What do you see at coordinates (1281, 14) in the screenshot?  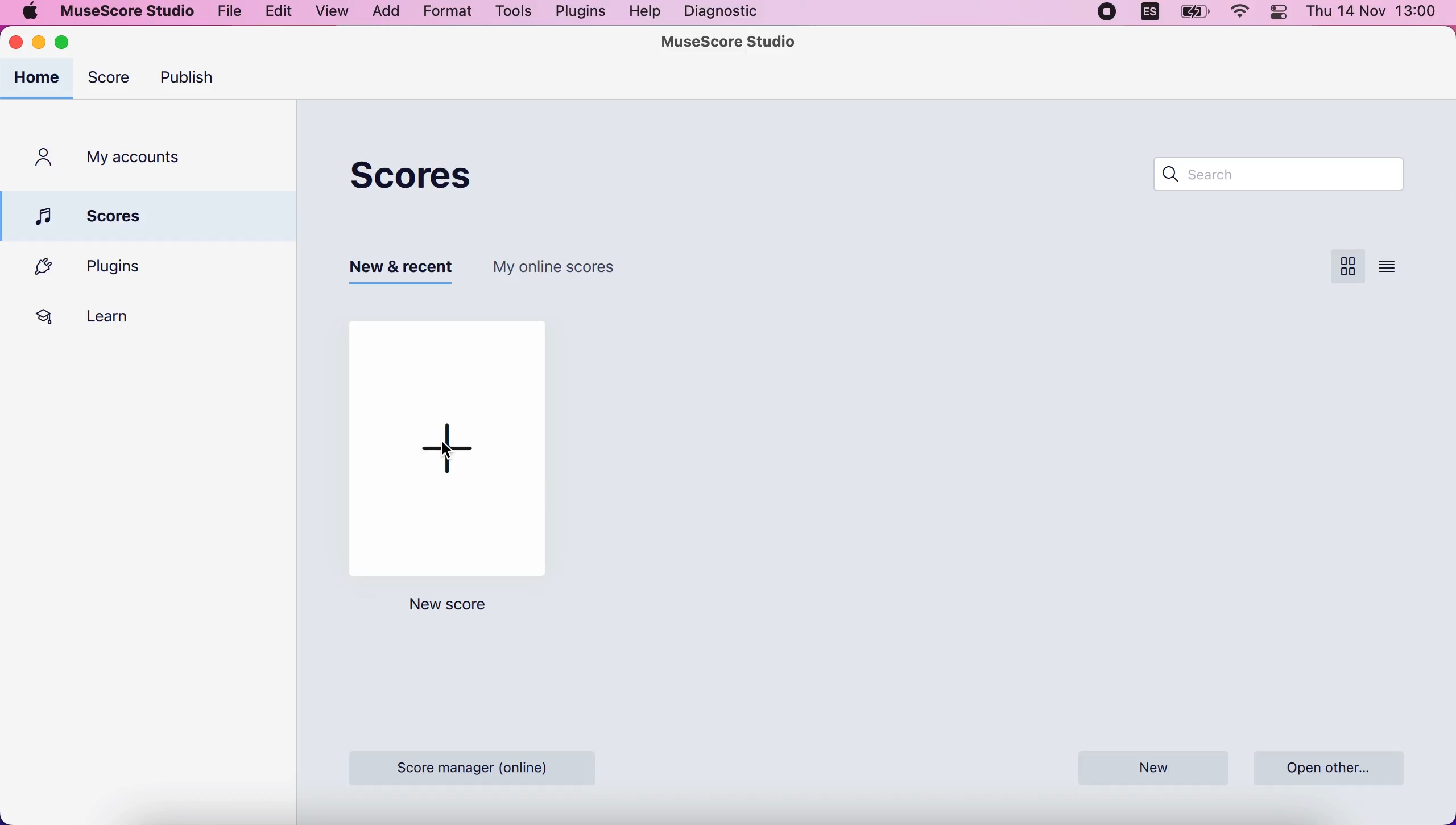 I see `panel control` at bounding box center [1281, 14].